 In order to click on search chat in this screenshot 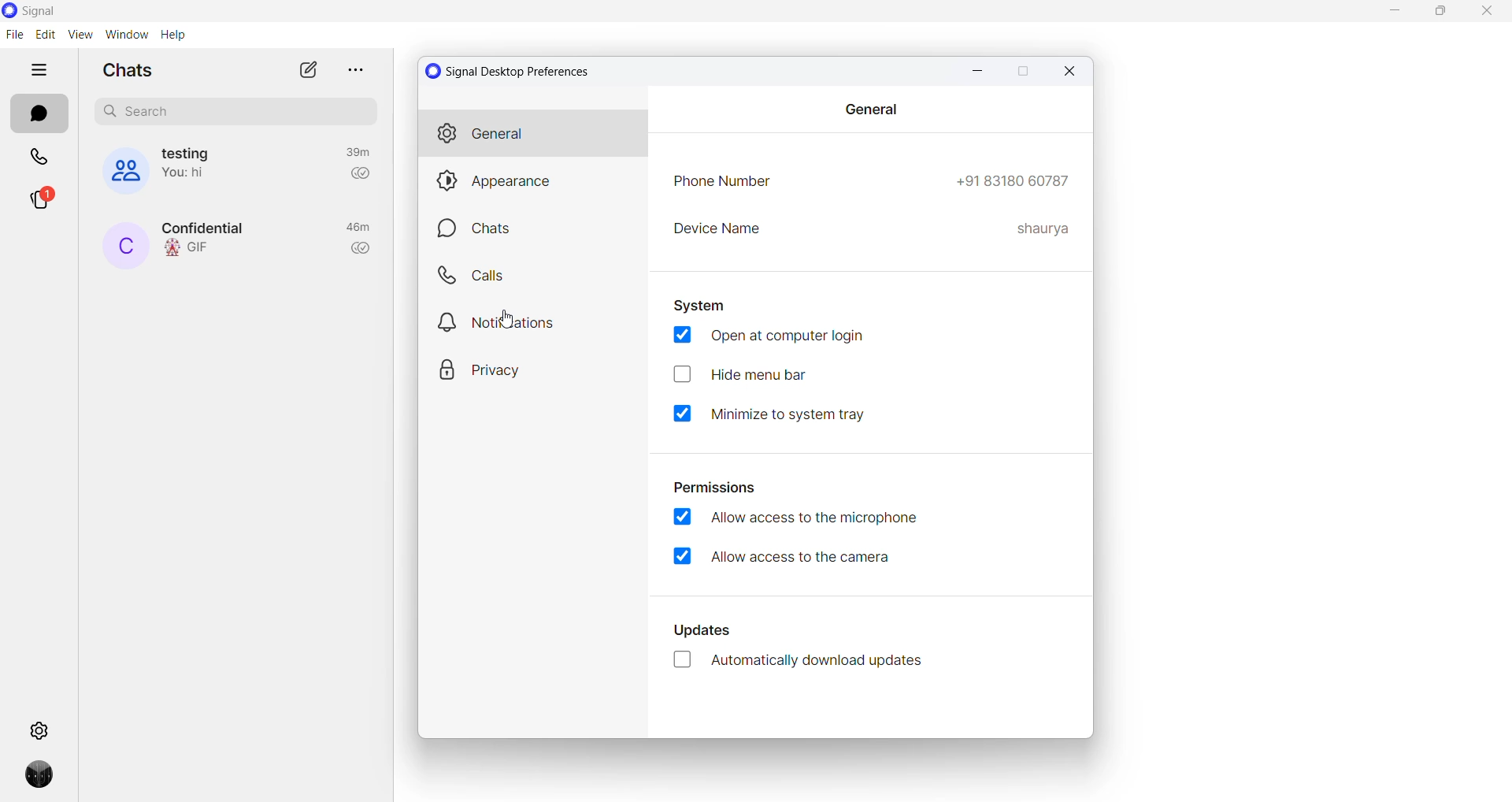, I will do `click(235, 112)`.